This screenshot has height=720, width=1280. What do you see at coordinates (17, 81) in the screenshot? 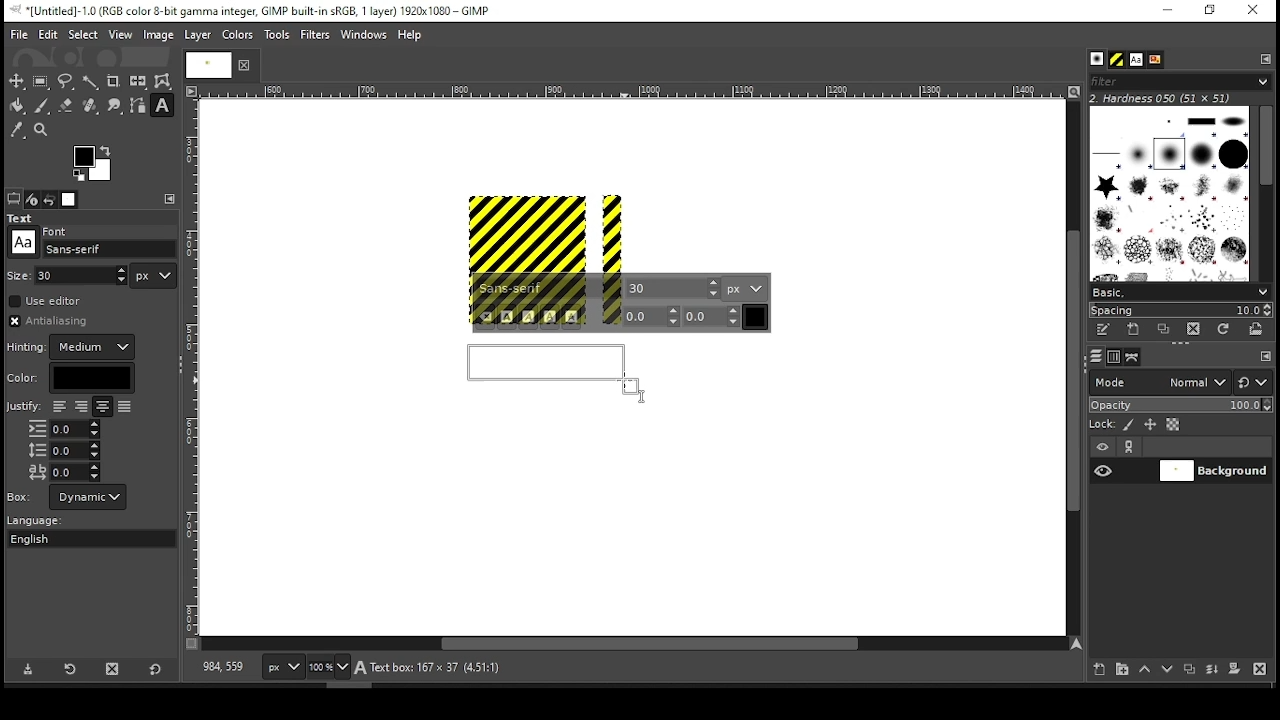
I see `selection tool` at bounding box center [17, 81].